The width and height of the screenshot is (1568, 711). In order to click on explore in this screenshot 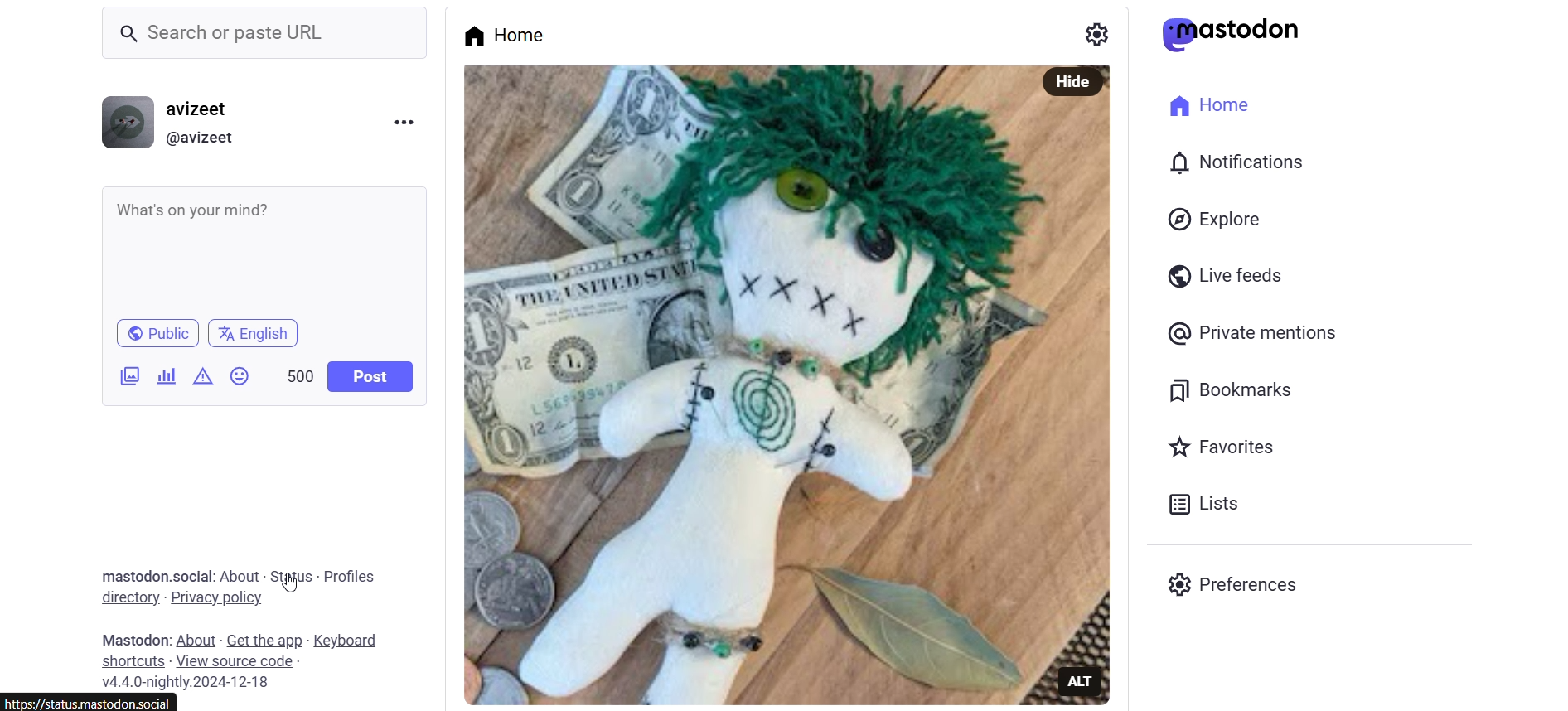, I will do `click(1217, 219)`.